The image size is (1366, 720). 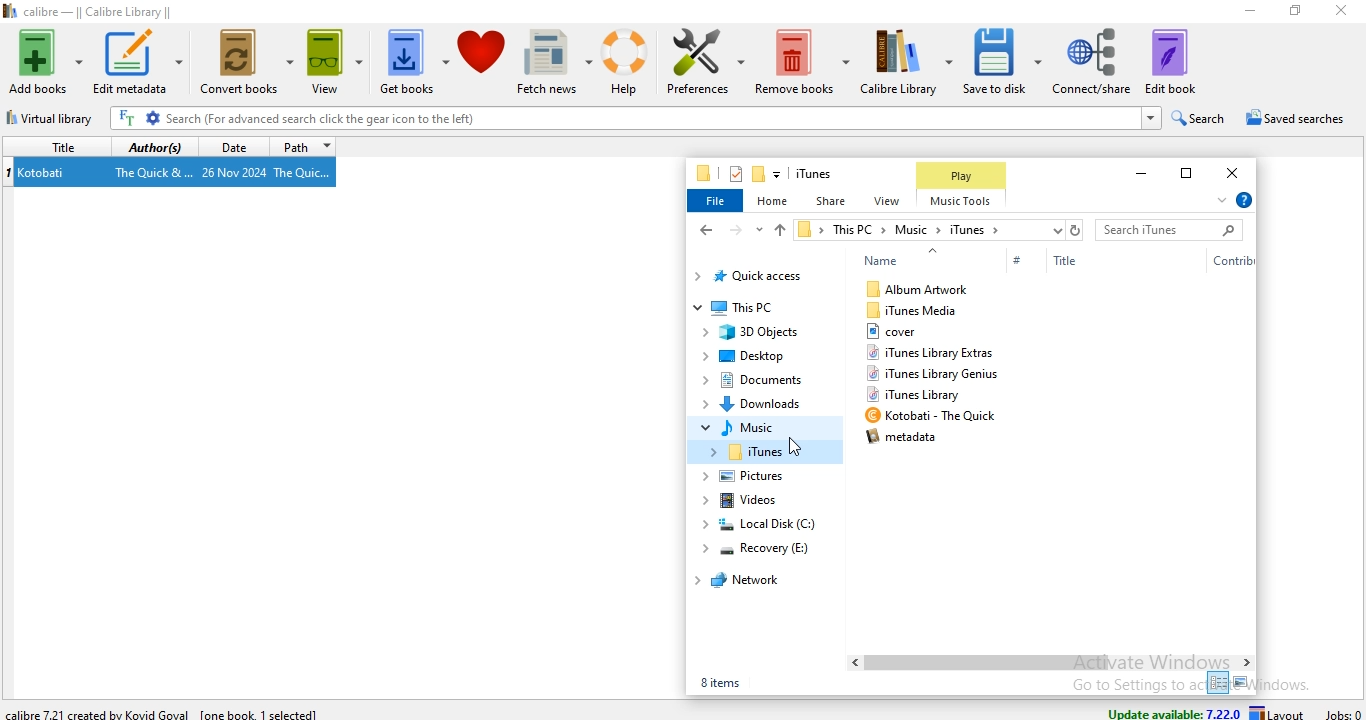 What do you see at coordinates (701, 62) in the screenshot?
I see `preference` at bounding box center [701, 62].